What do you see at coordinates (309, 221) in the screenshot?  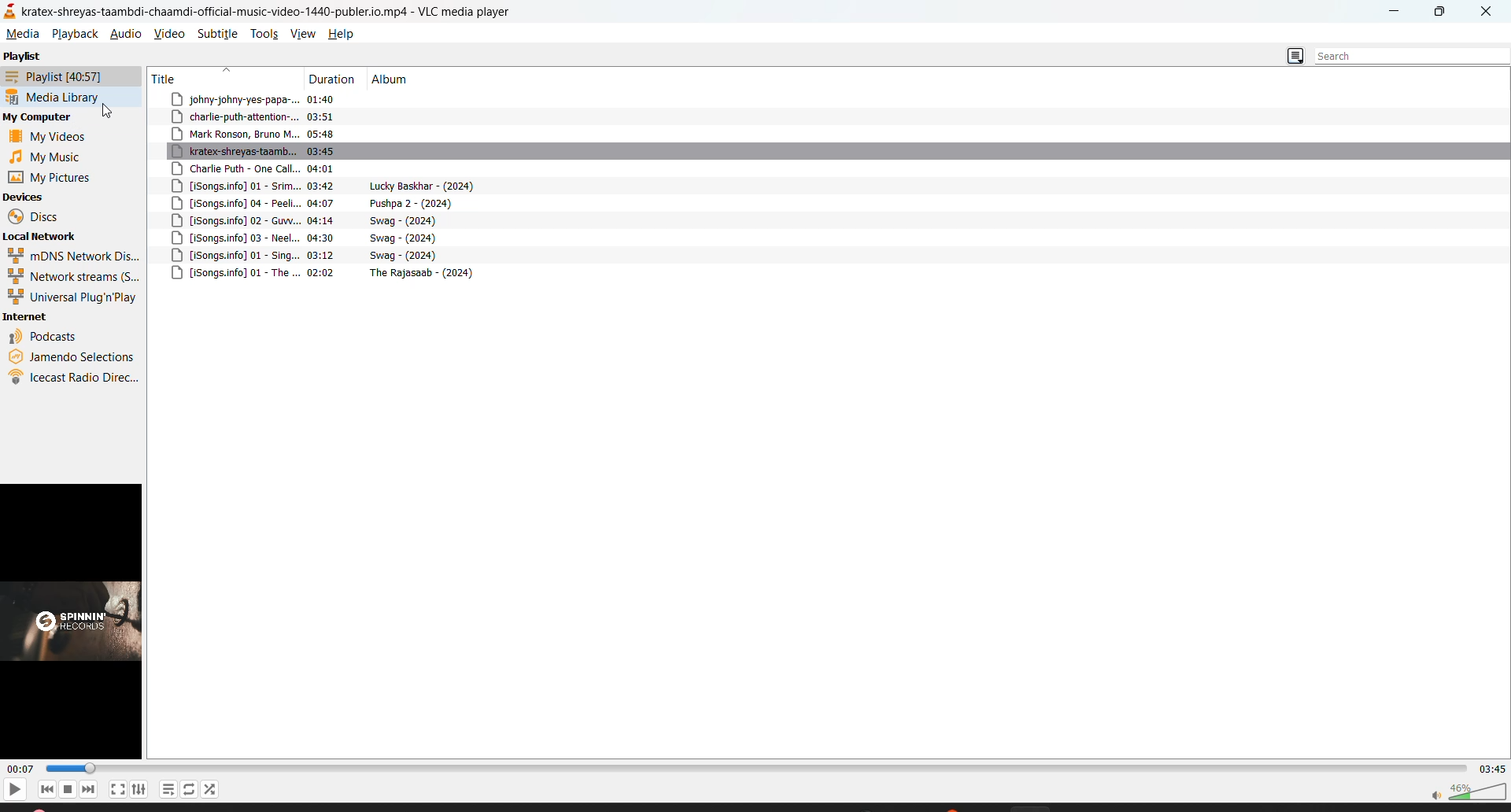 I see `track title , duration and album` at bounding box center [309, 221].